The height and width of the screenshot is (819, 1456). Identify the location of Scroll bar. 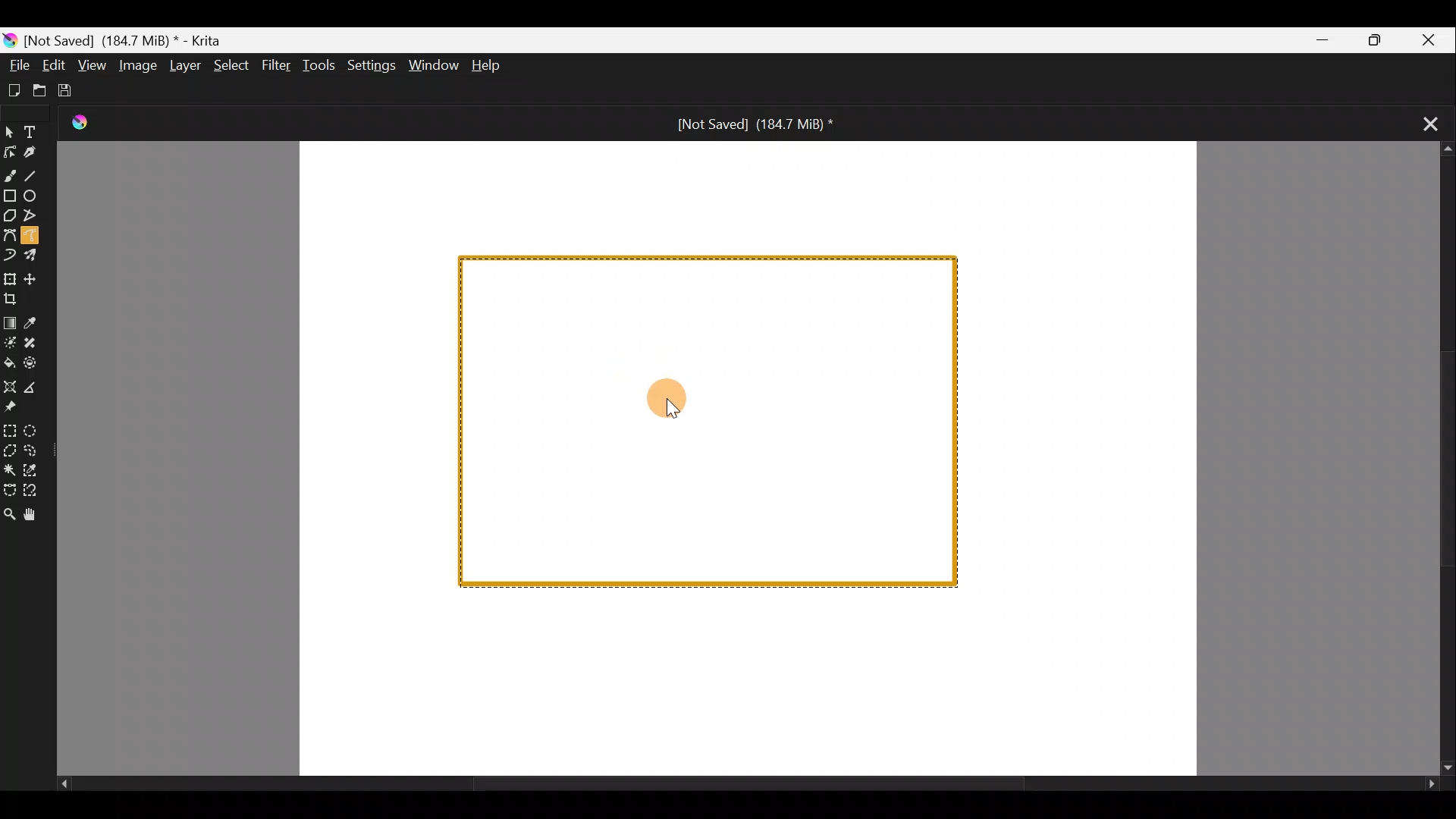
(1434, 460).